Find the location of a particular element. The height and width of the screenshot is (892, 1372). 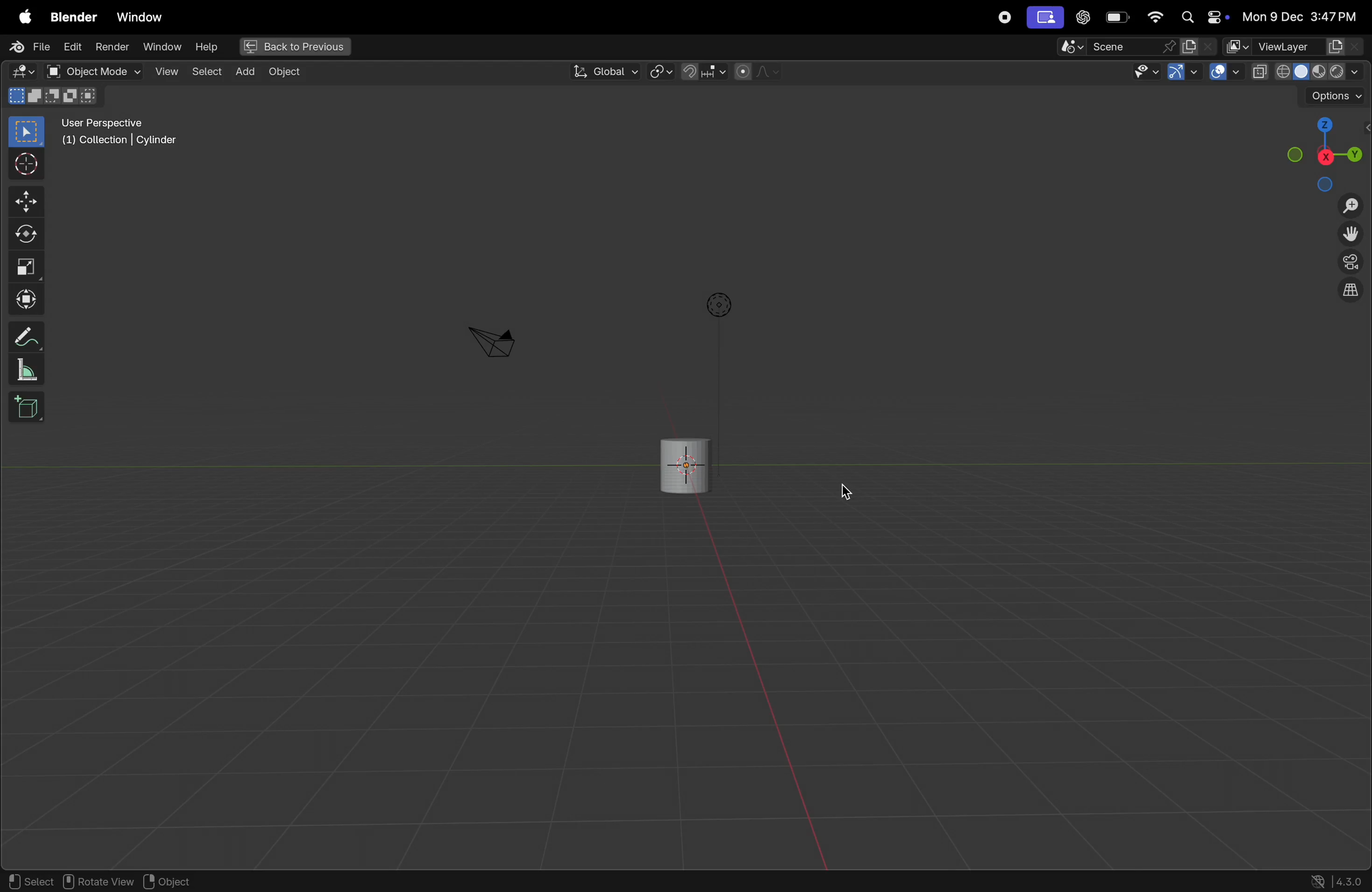

global is located at coordinates (604, 71).